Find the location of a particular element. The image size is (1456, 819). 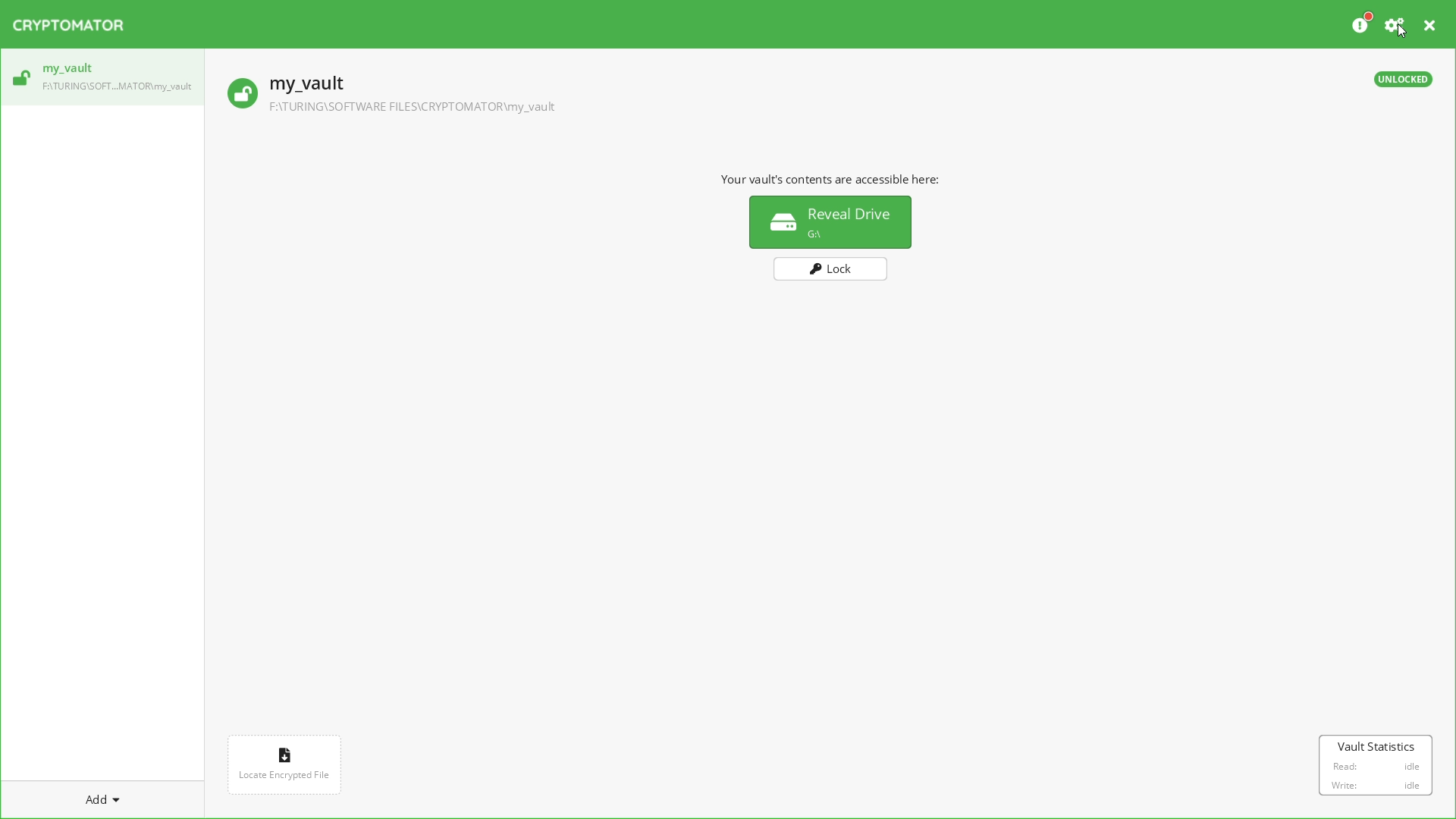

Select Vault is located at coordinates (105, 81).